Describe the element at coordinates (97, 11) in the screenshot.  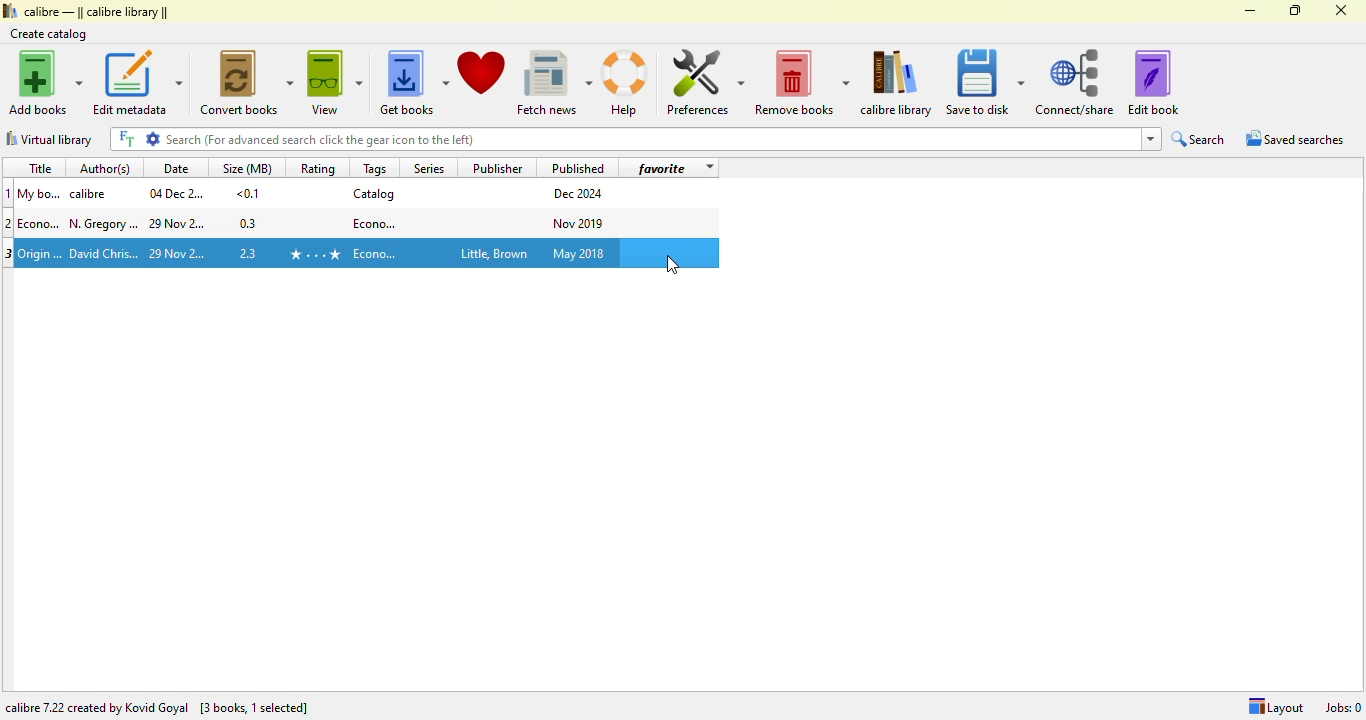
I see `calibre library` at that location.